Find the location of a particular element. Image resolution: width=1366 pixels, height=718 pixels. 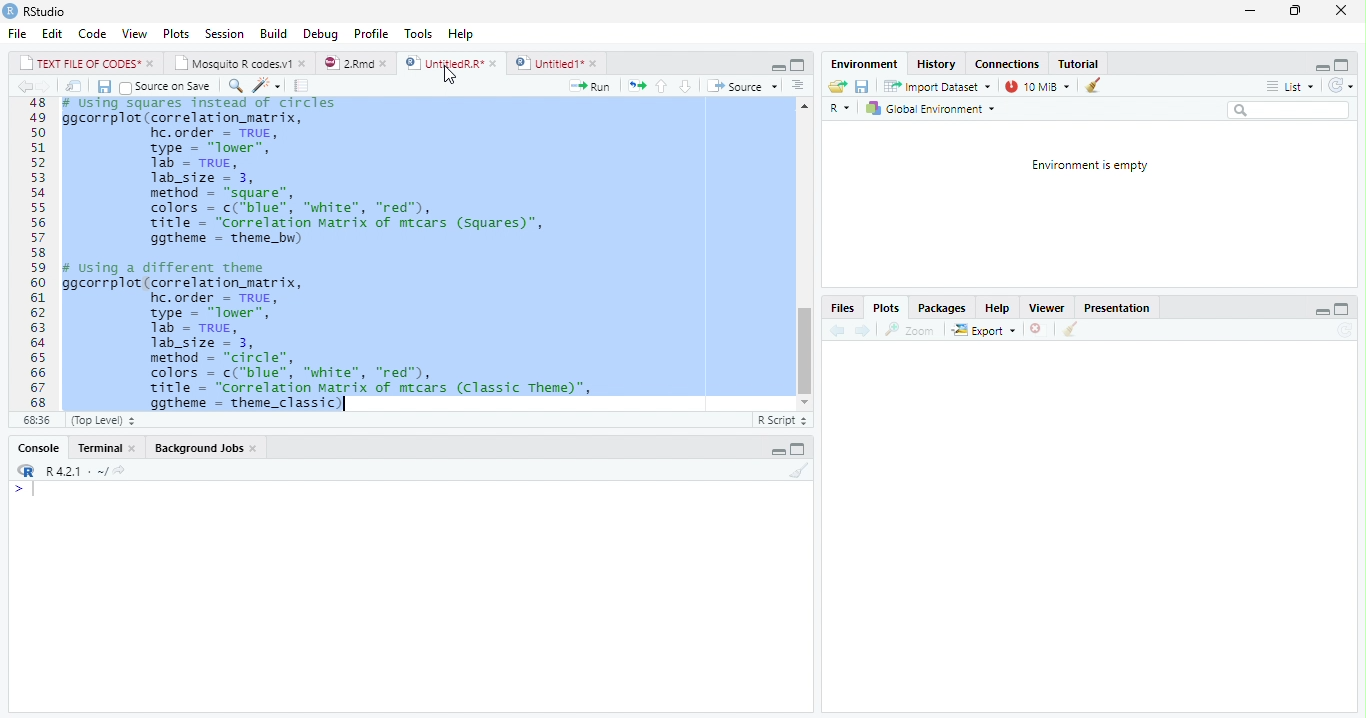

‘Console is located at coordinates (33, 450).